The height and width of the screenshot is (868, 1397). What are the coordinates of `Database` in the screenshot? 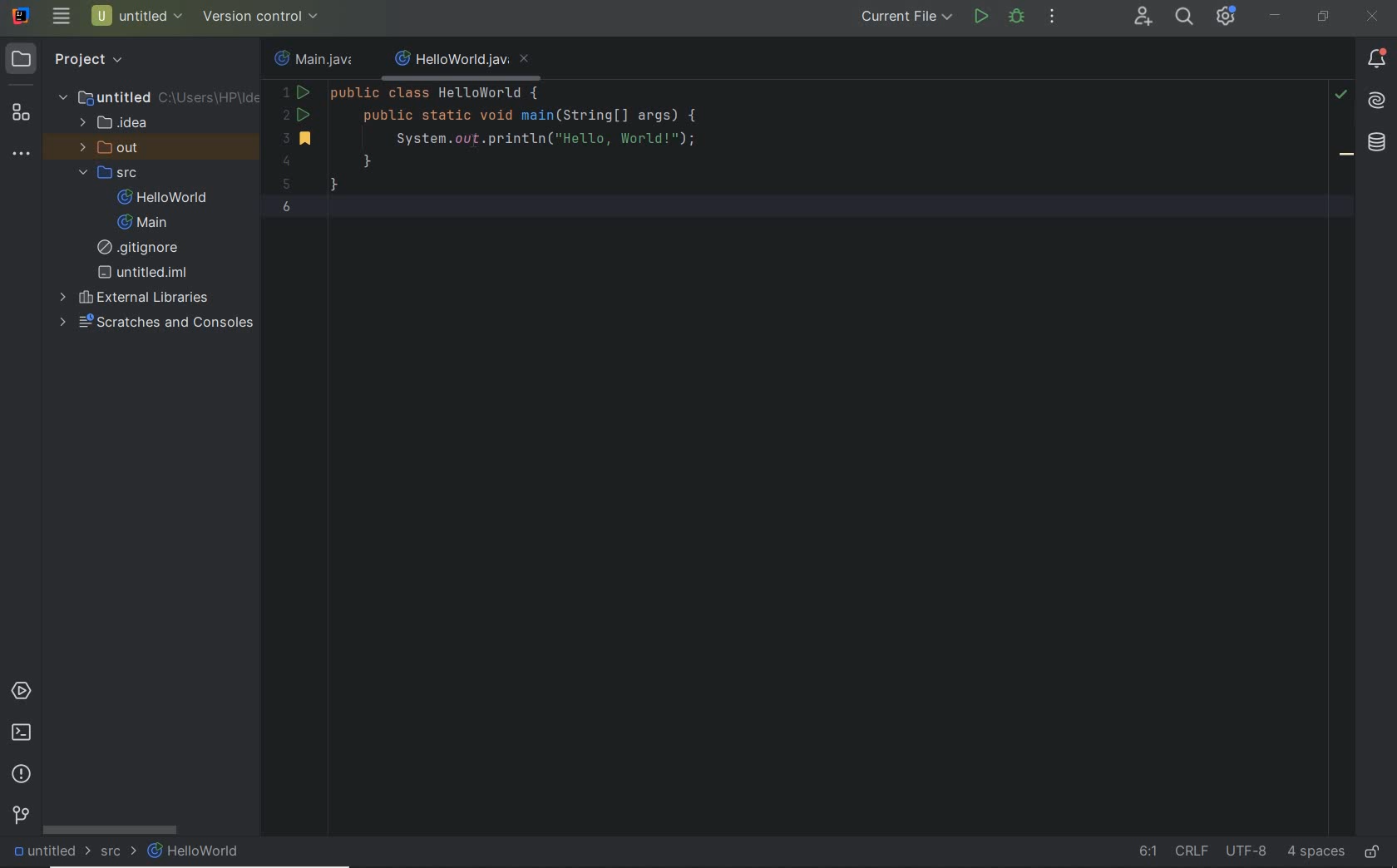 It's located at (1377, 143).